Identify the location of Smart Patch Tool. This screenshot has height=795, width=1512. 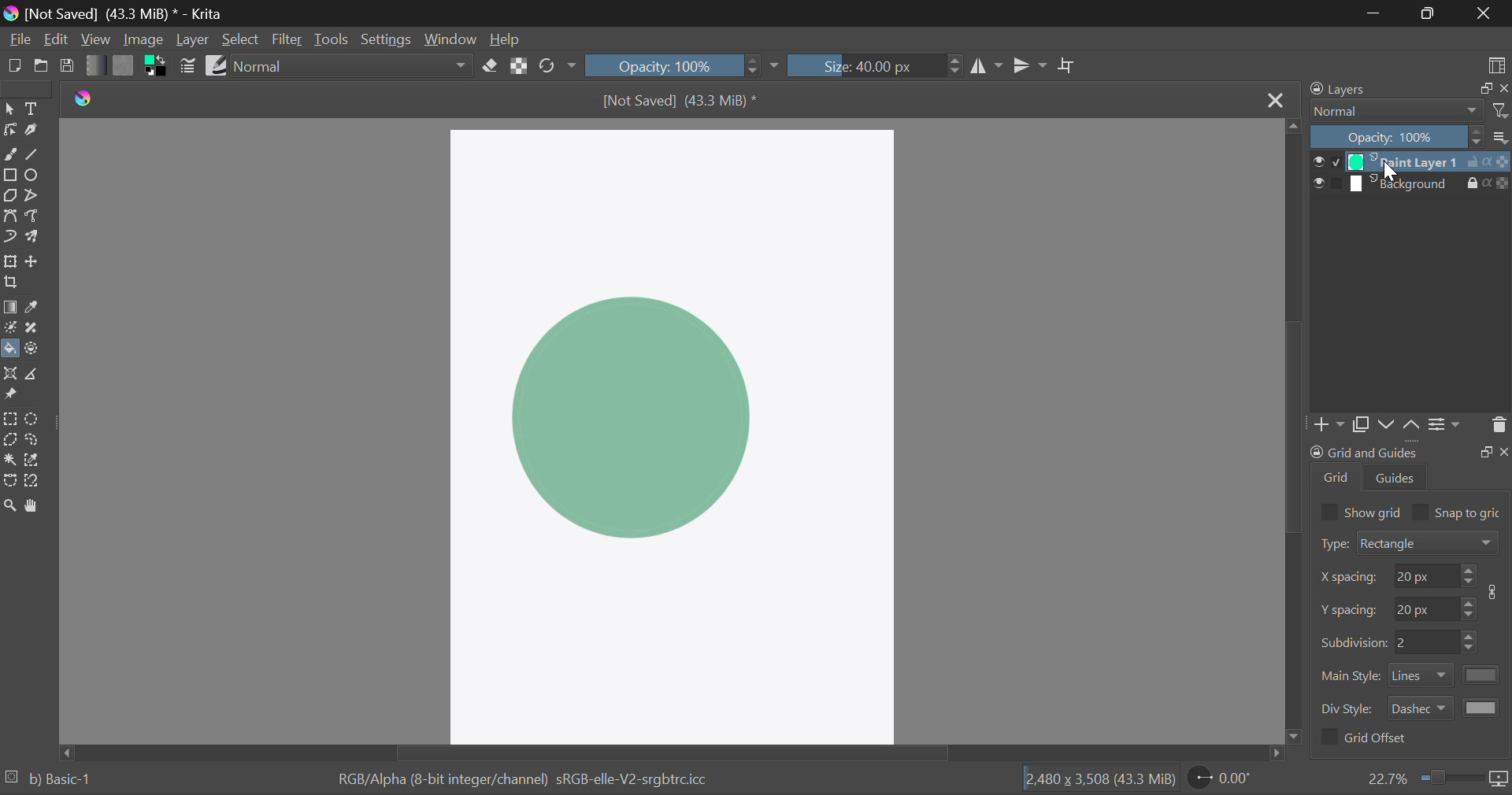
(32, 328).